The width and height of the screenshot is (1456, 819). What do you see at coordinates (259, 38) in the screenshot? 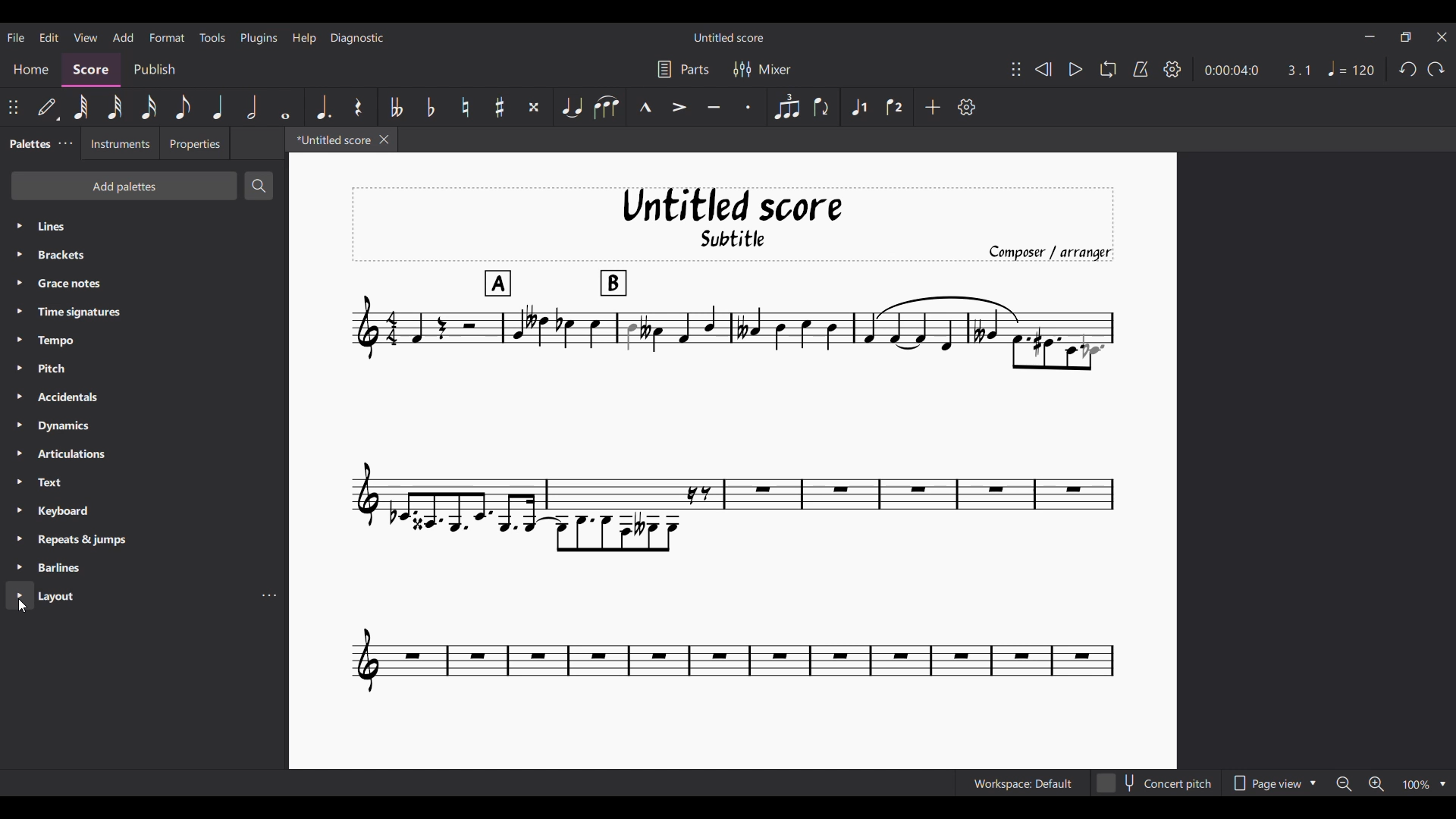
I see `Plugins menu` at bounding box center [259, 38].